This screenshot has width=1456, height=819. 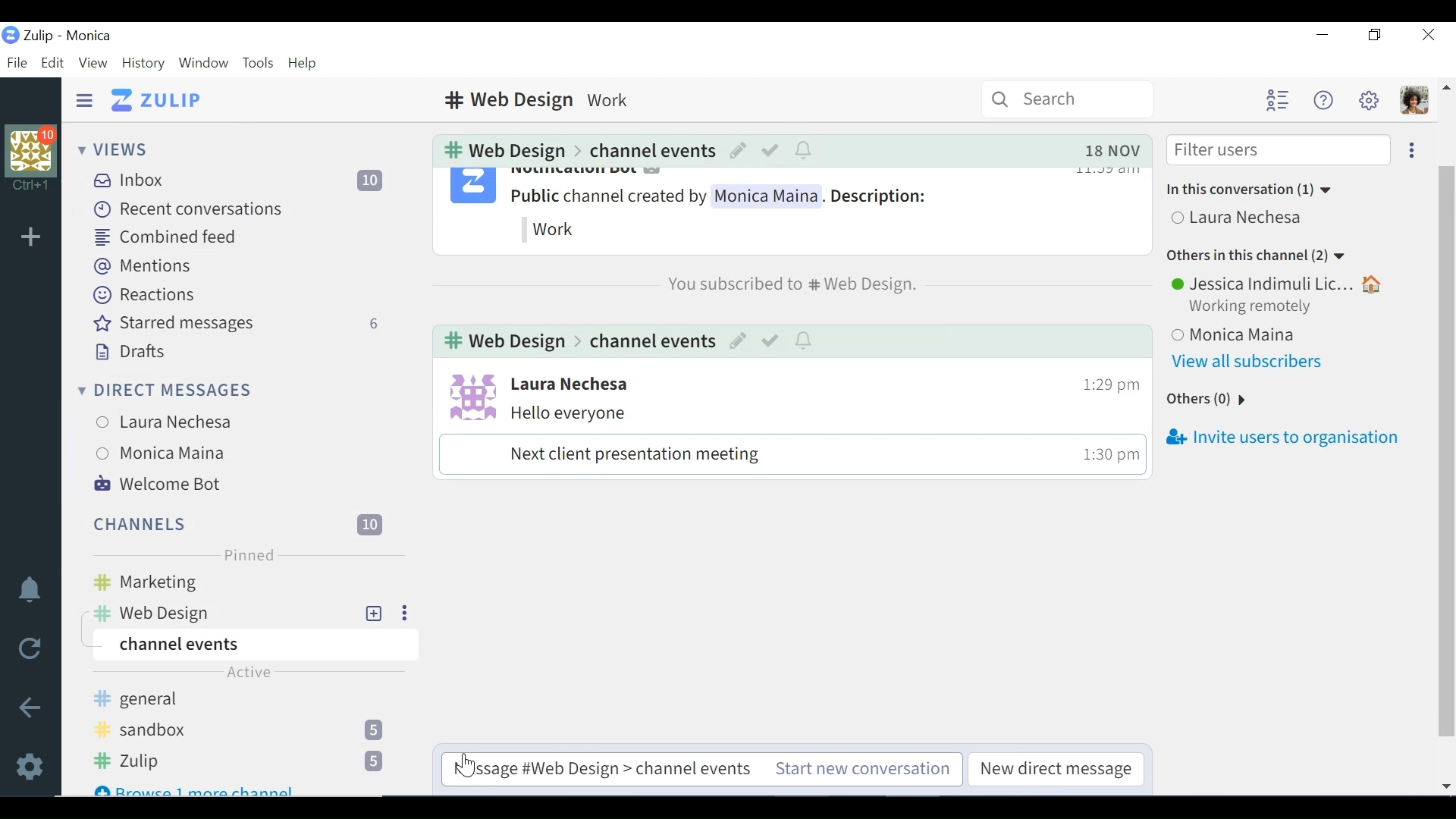 I want to click on time, so click(x=1104, y=457).